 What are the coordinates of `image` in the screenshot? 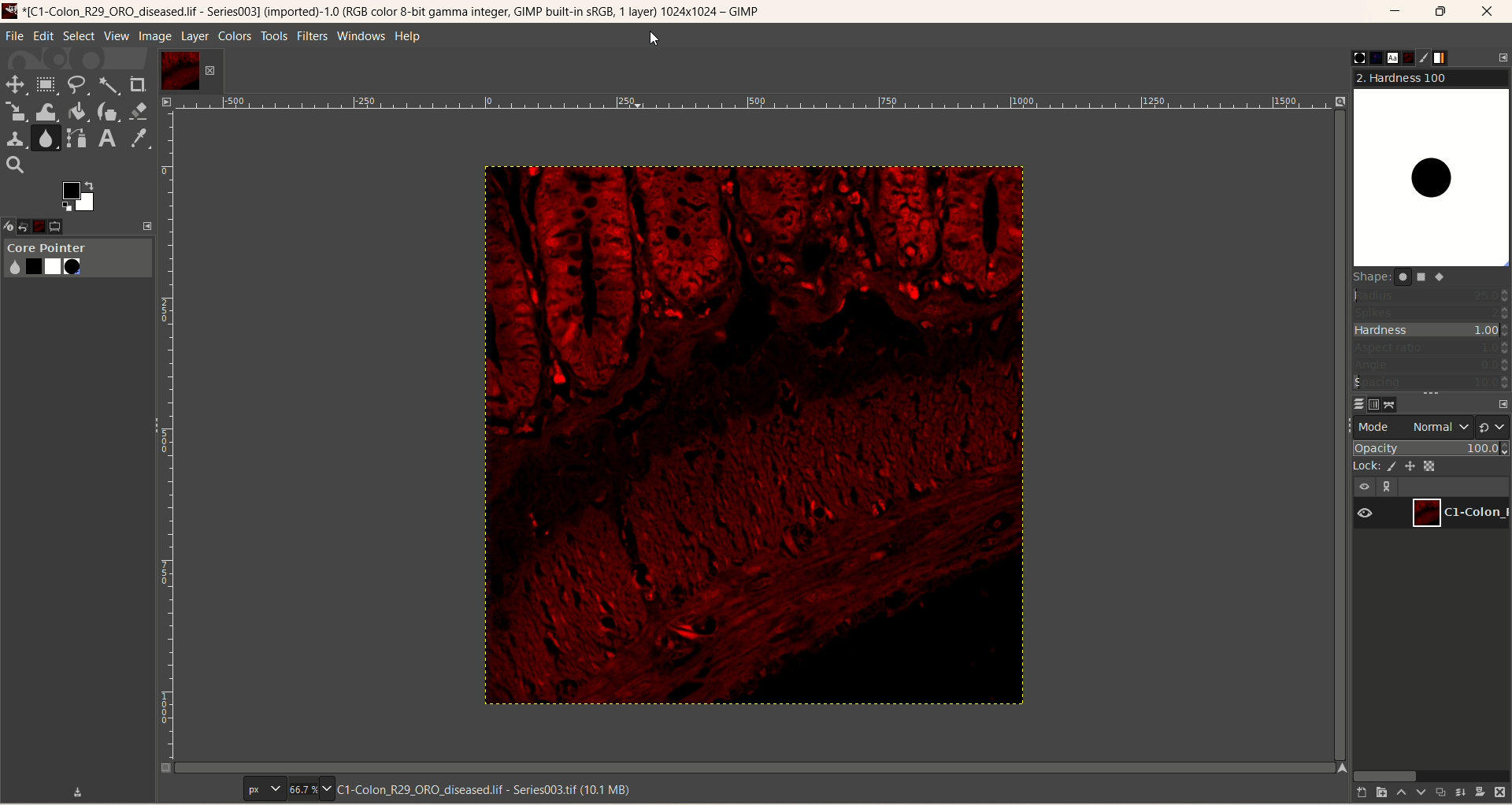 It's located at (748, 436).